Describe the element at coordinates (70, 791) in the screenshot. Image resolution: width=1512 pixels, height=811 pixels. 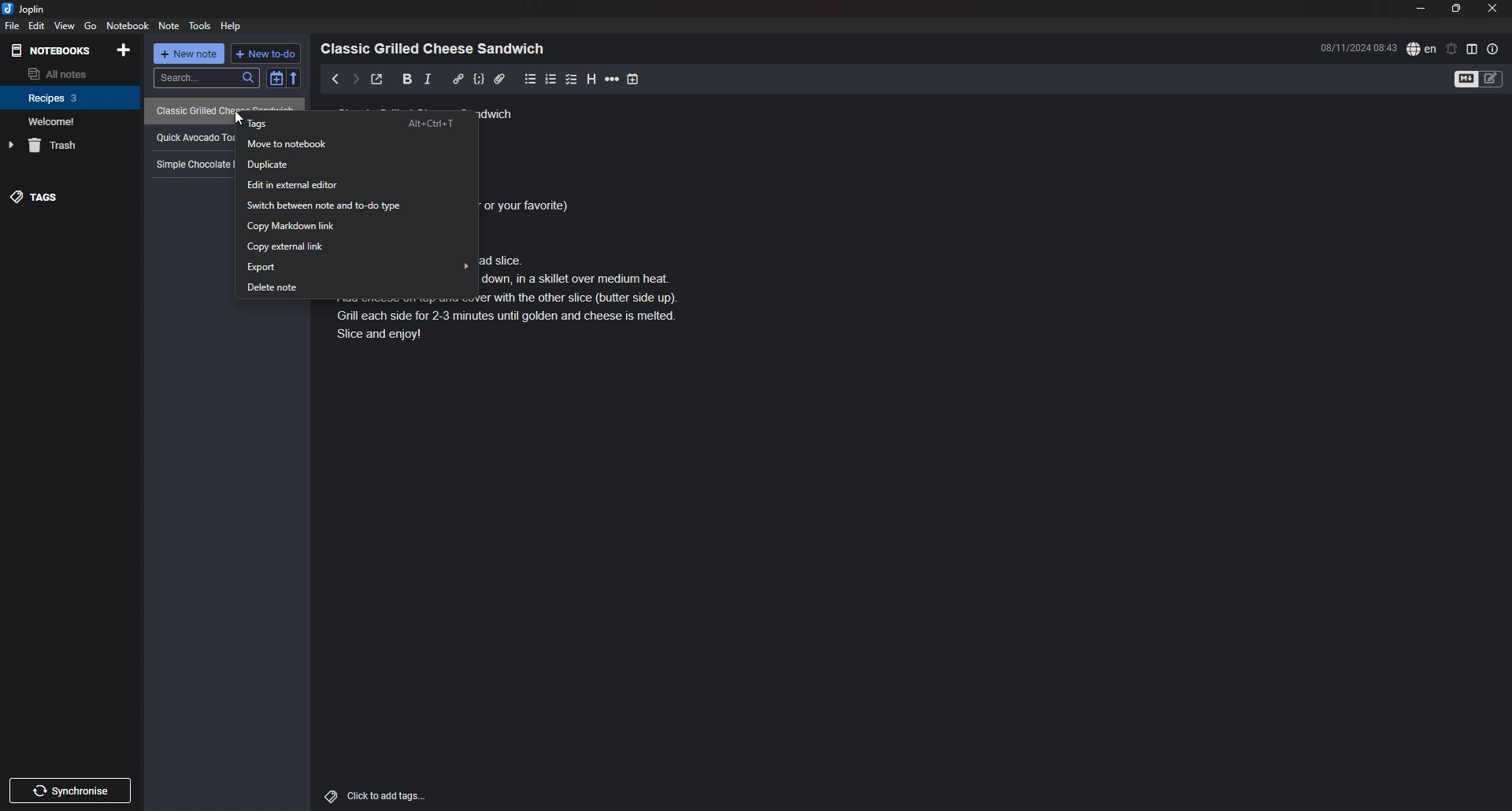
I see `sync` at that location.